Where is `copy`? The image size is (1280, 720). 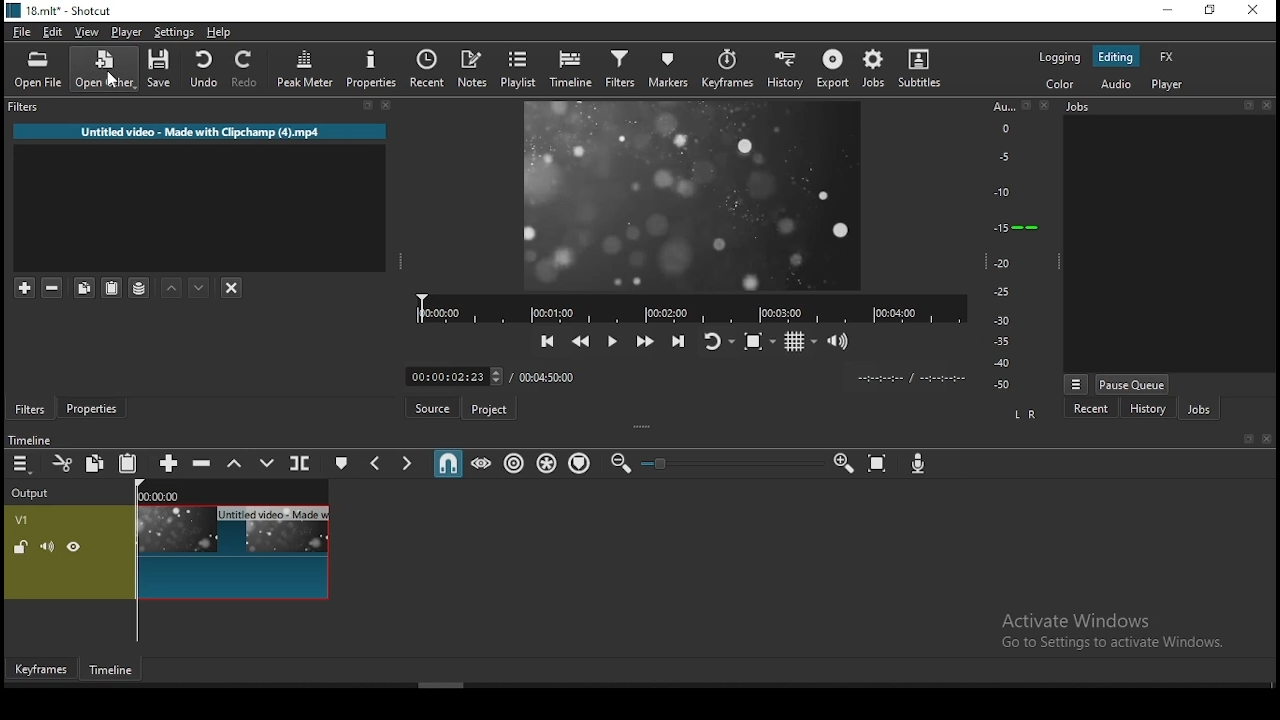
copy is located at coordinates (99, 465).